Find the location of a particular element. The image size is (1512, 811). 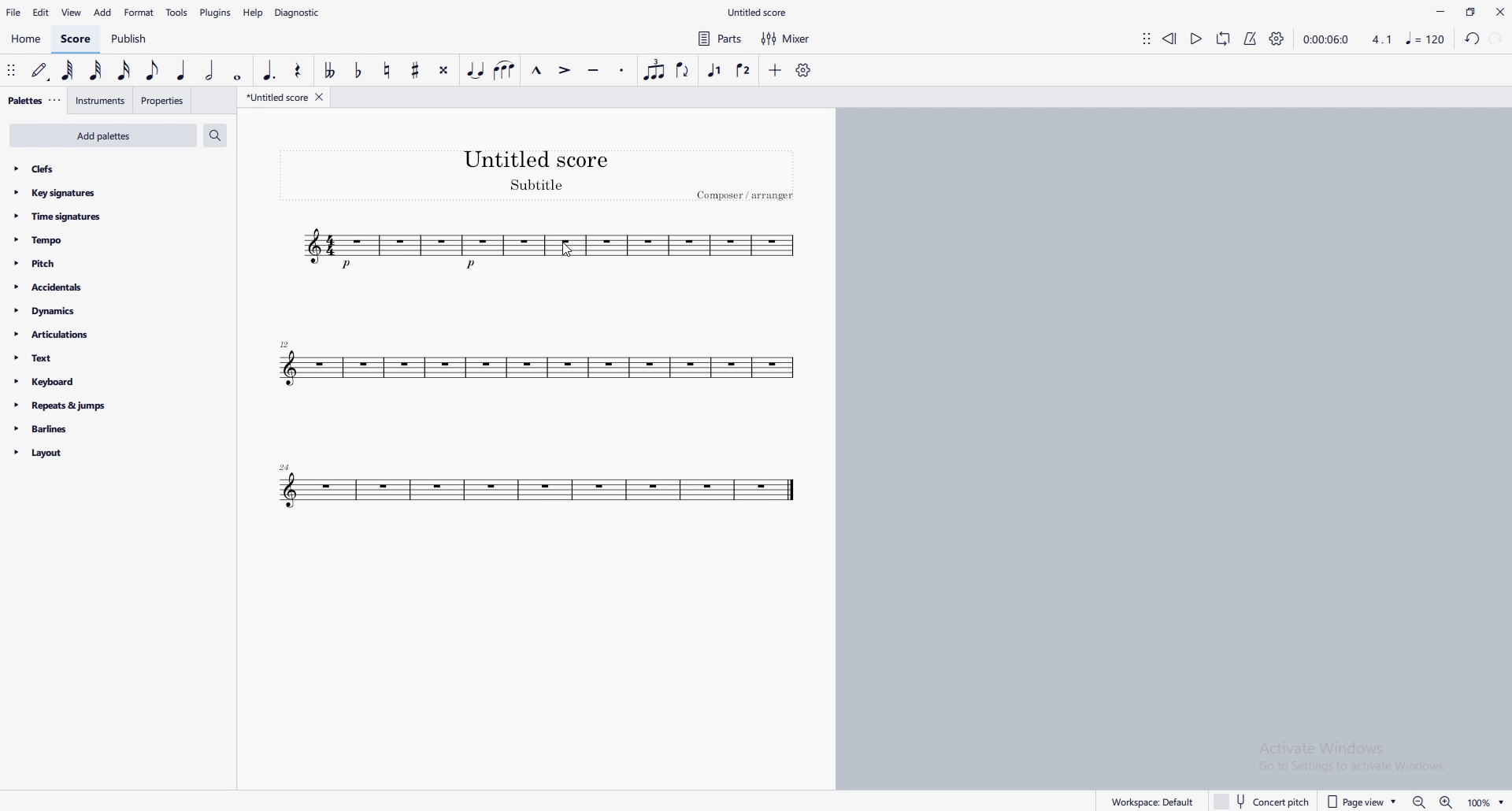

plugins is located at coordinates (215, 12).